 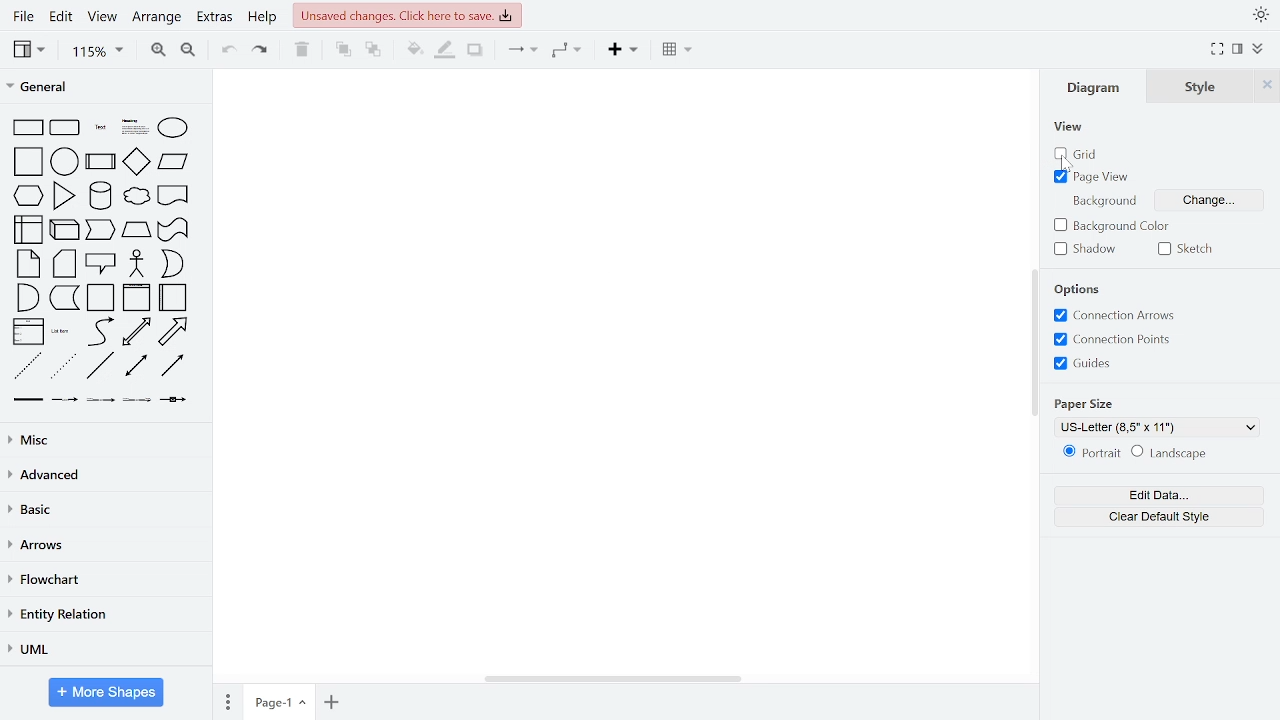 What do you see at coordinates (475, 51) in the screenshot?
I see `shadow` at bounding box center [475, 51].